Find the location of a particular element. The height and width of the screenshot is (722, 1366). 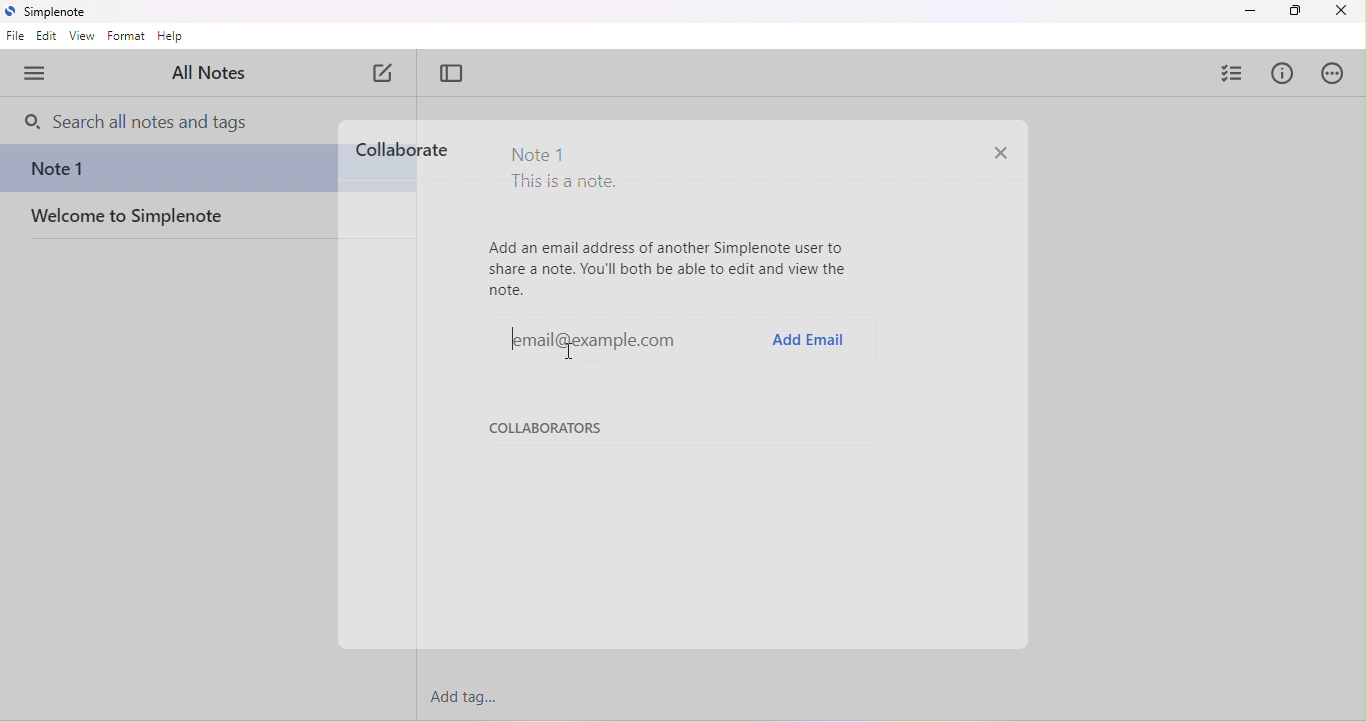

welcome to simplenote is located at coordinates (172, 223).